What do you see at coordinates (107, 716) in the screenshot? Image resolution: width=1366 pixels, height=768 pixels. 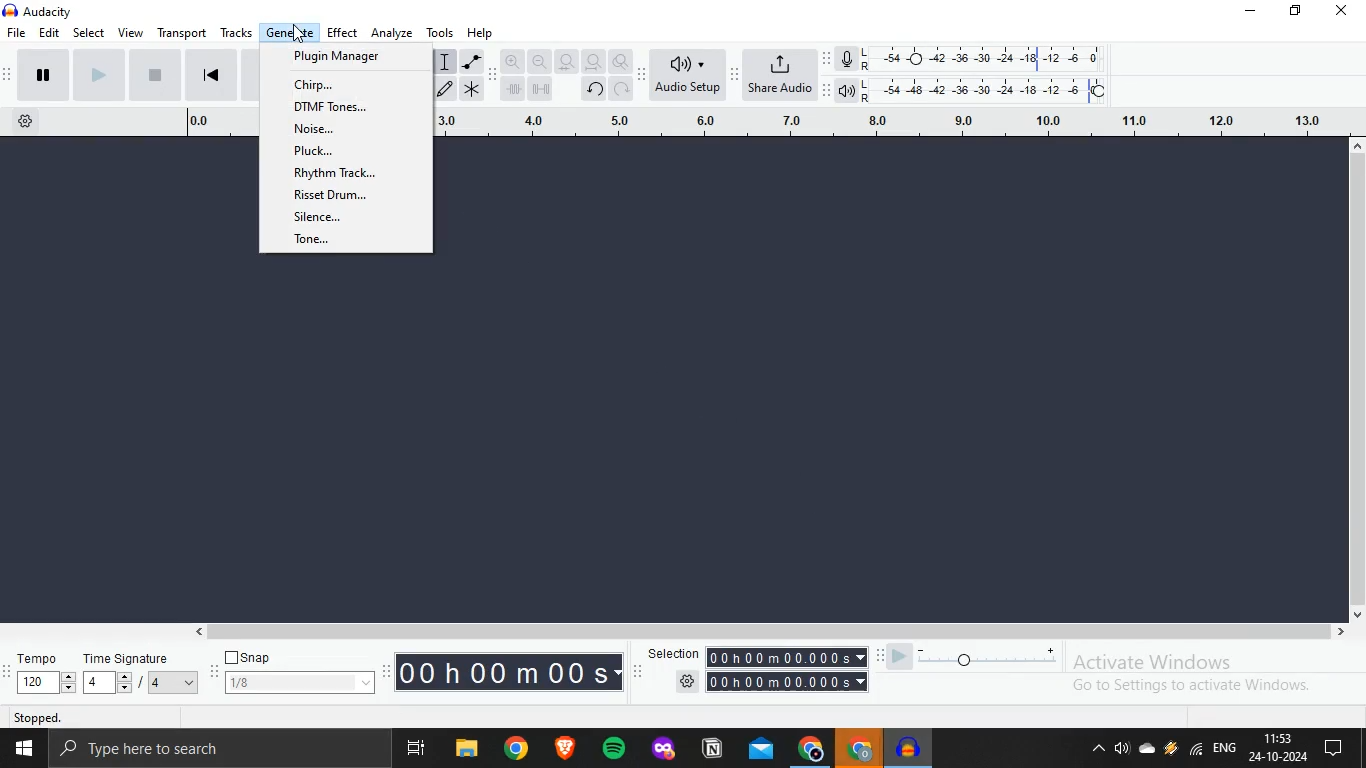 I see `Stopped` at bounding box center [107, 716].